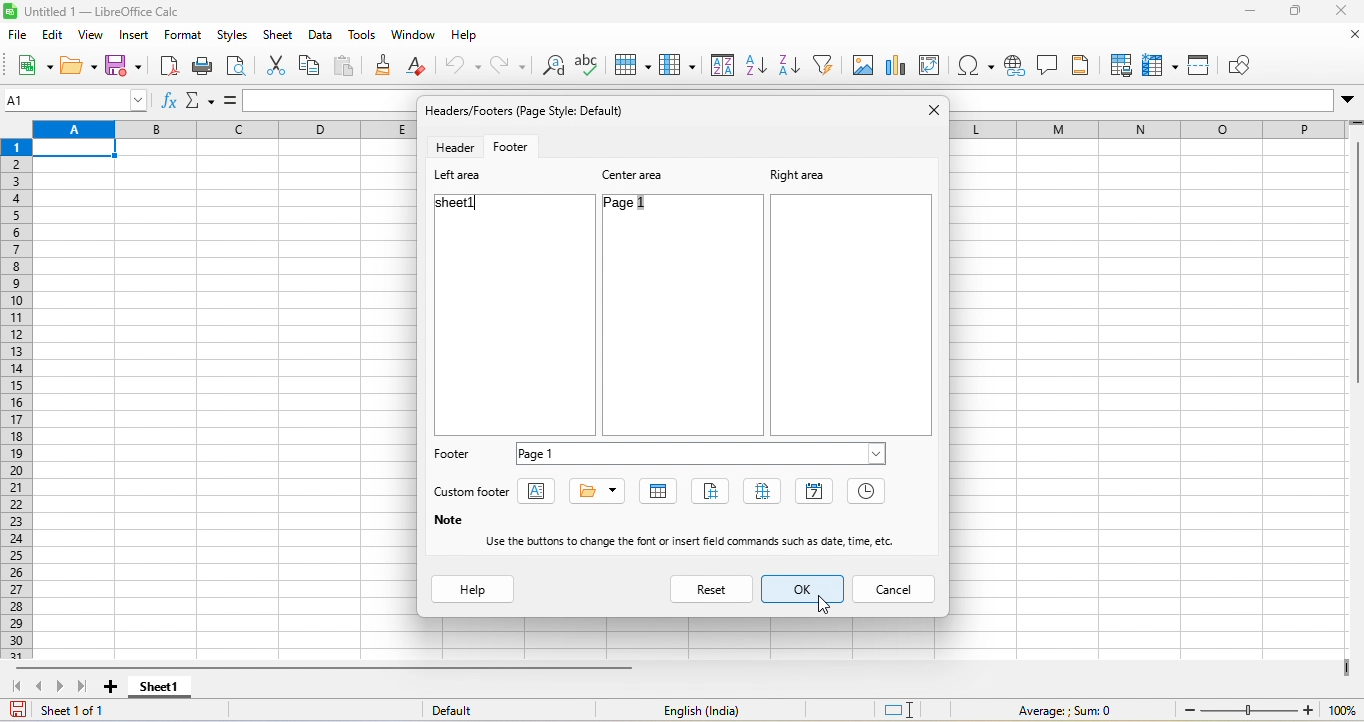 The height and width of the screenshot is (722, 1364). I want to click on average: sum=0, so click(1068, 711).